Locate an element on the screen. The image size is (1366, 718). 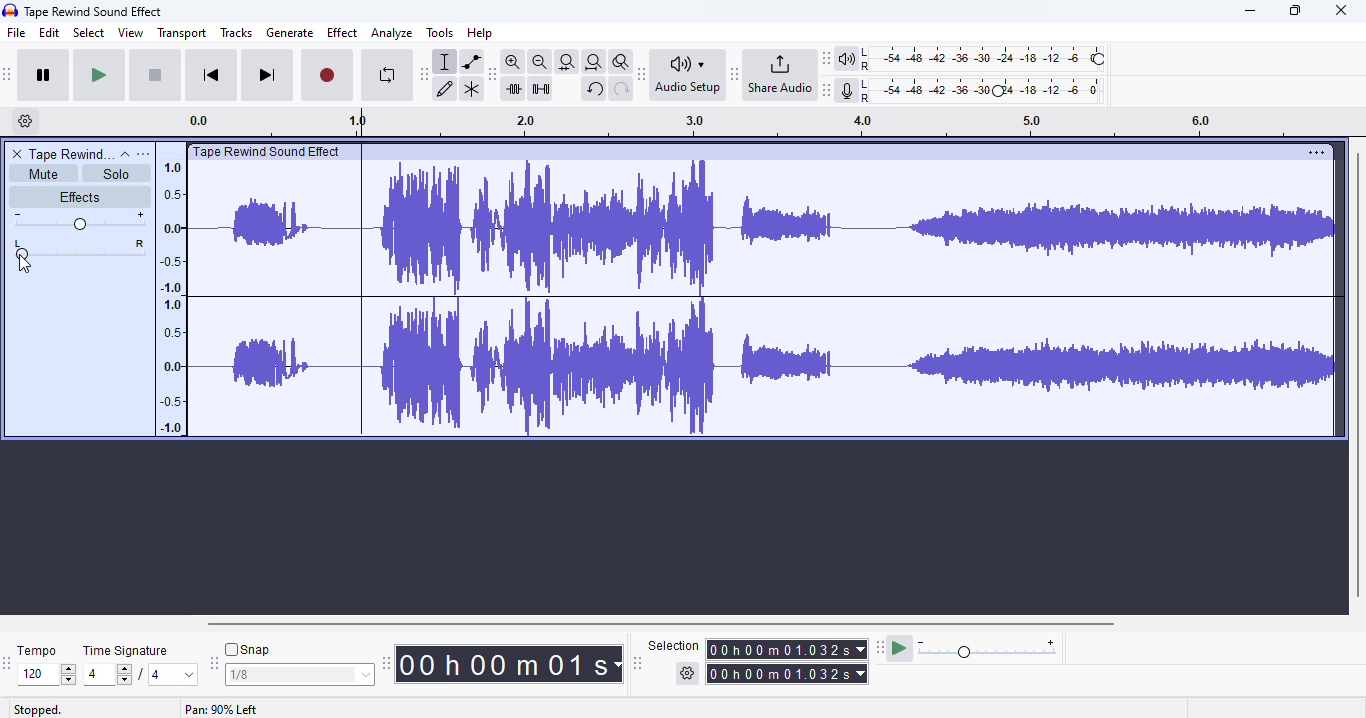
draw tool is located at coordinates (445, 90).